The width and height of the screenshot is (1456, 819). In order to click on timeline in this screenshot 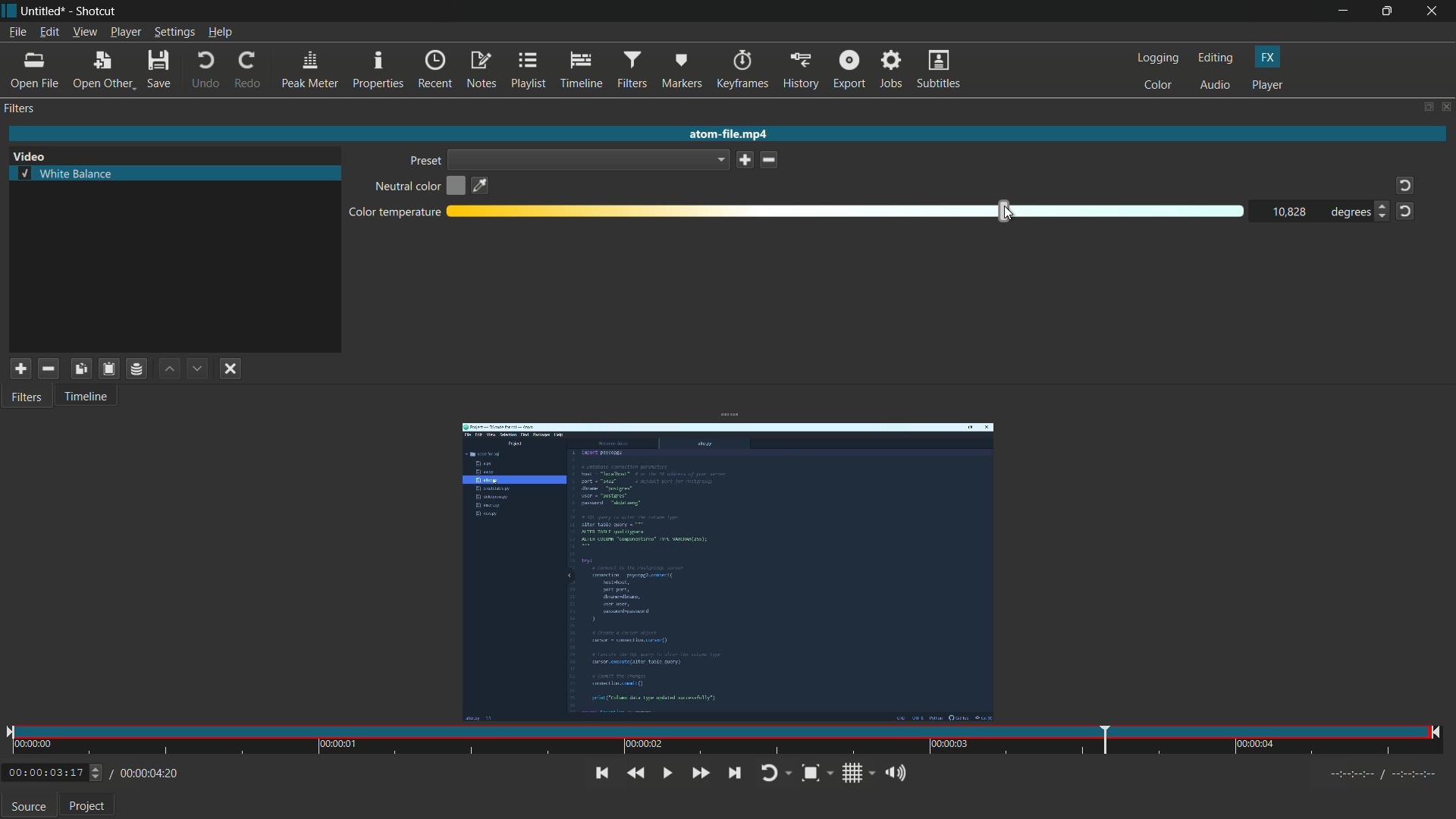, I will do `click(580, 71)`.